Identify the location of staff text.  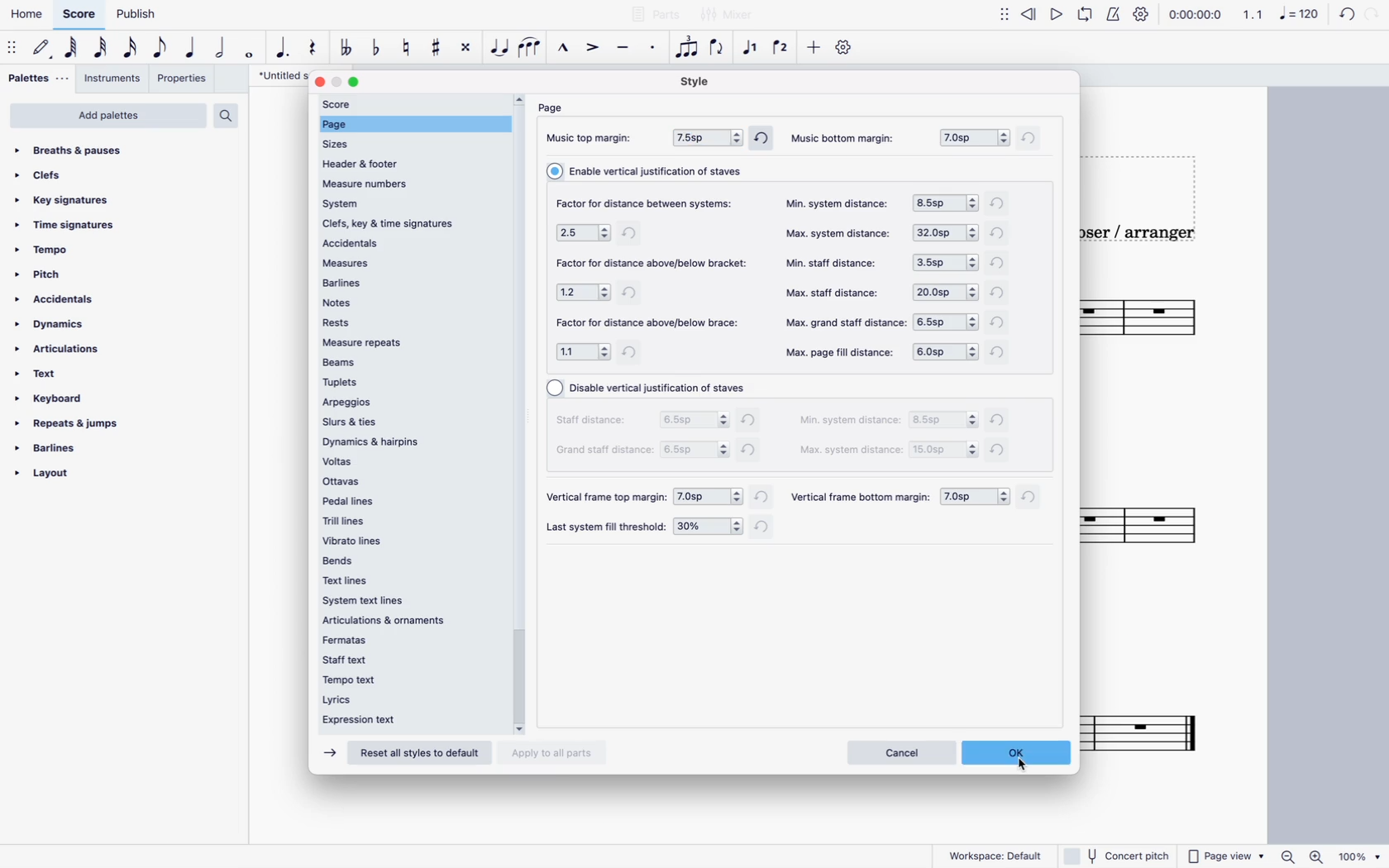
(401, 658).